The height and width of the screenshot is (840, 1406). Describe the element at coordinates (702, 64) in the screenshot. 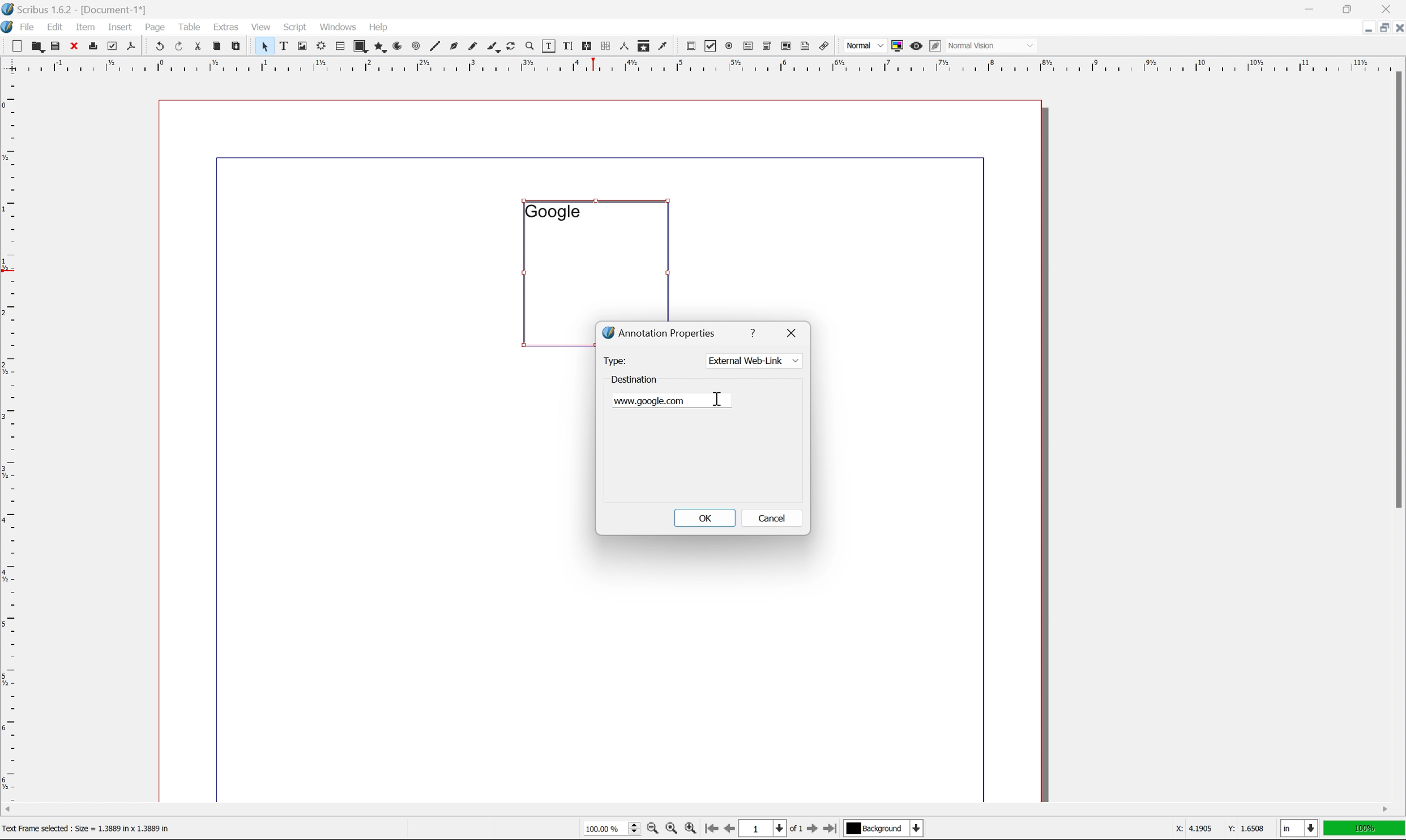

I see `ruler` at that location.